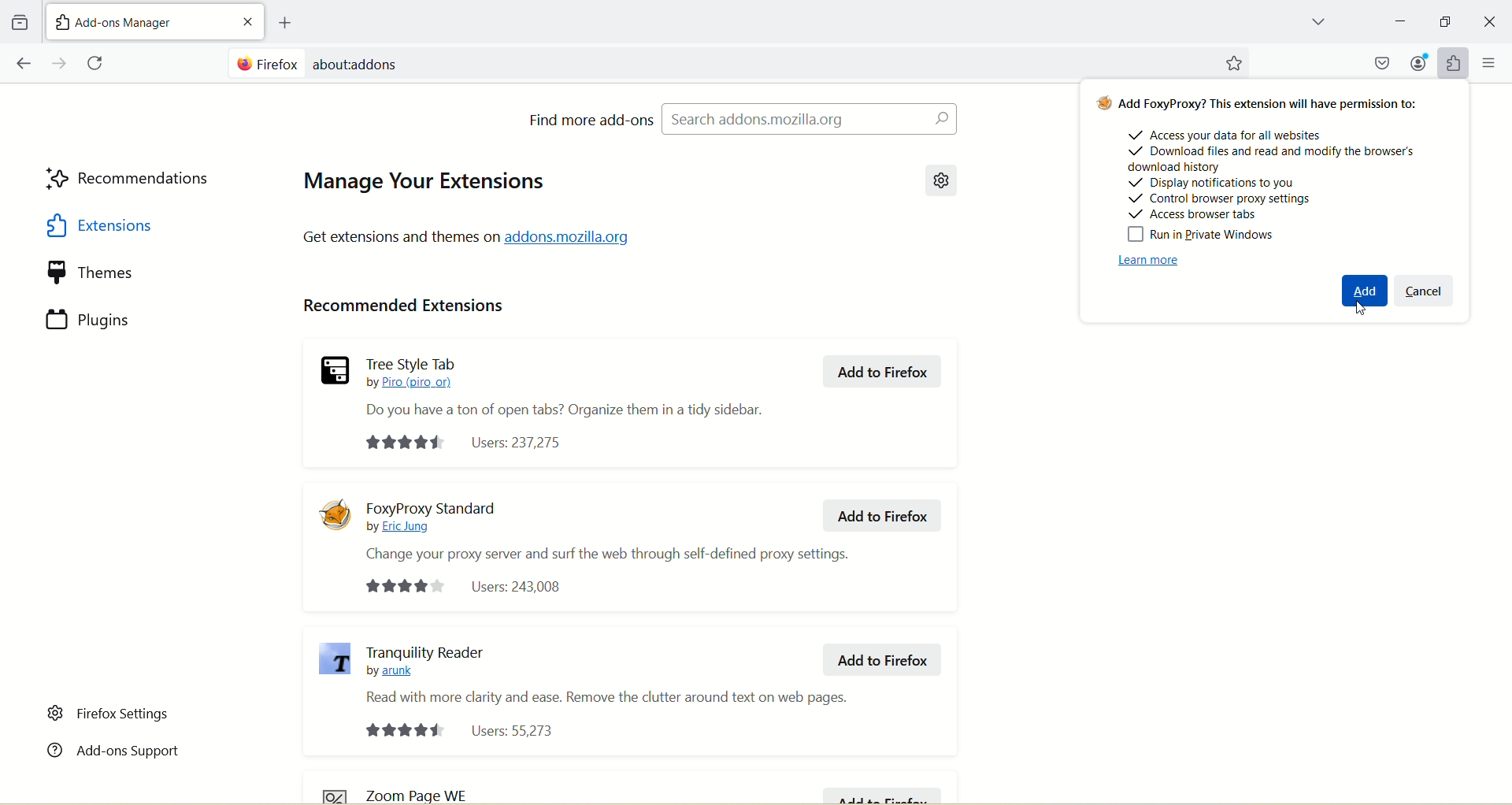 The image size is (1512, 805). Describe the element at coordinates (1258, 156) in the screenshot. I see `# Add FoxyProxy? This extension will have permission to:
Access your data for all websites
~/ Download files and read and modify the browser's
download history
+ Display notifications to you
+ Control browser proxy settings
~ Siatatae Ioana Bika` at that location.